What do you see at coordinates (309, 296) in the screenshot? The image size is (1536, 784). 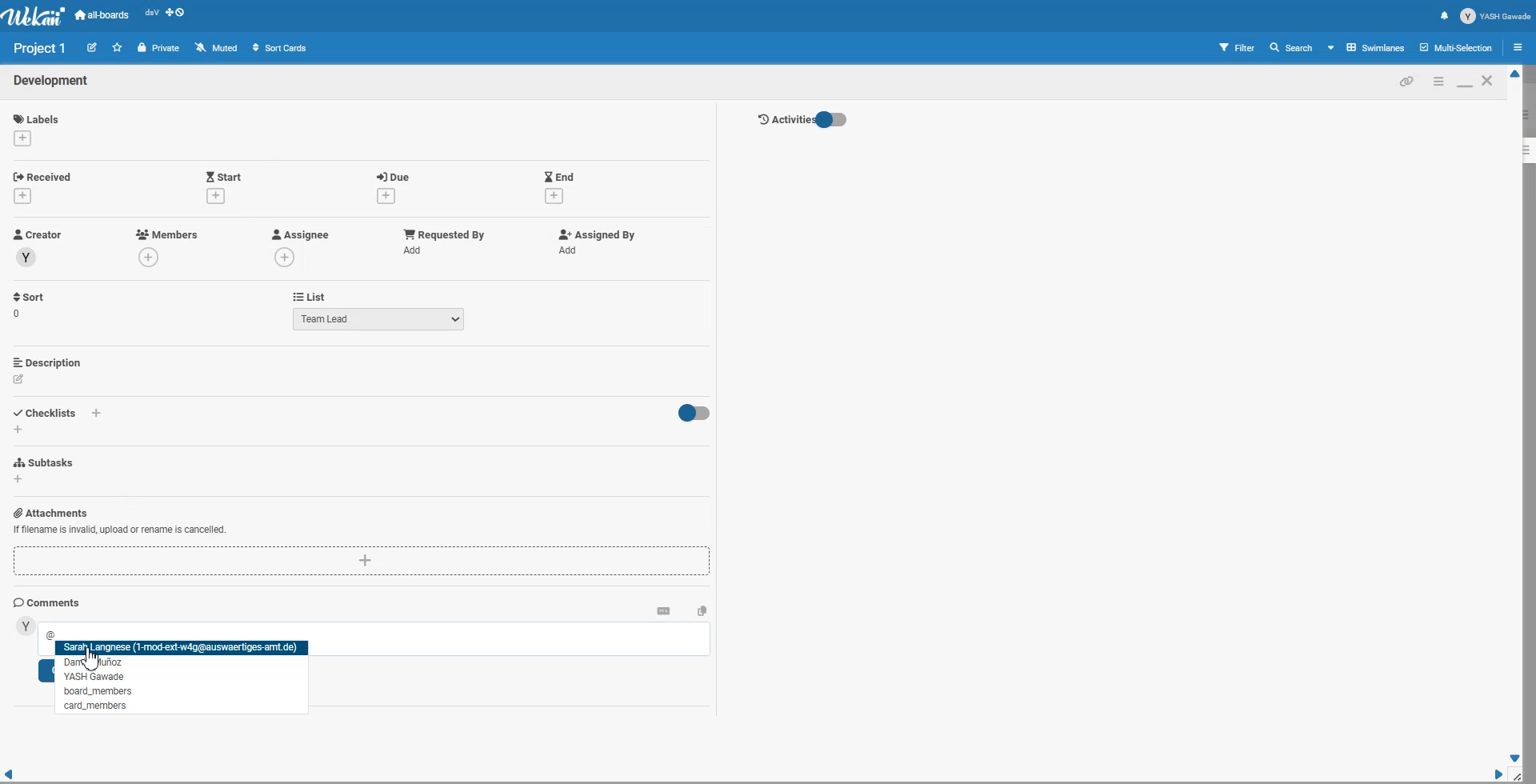 I see `List` at bounding box center [309, 296].